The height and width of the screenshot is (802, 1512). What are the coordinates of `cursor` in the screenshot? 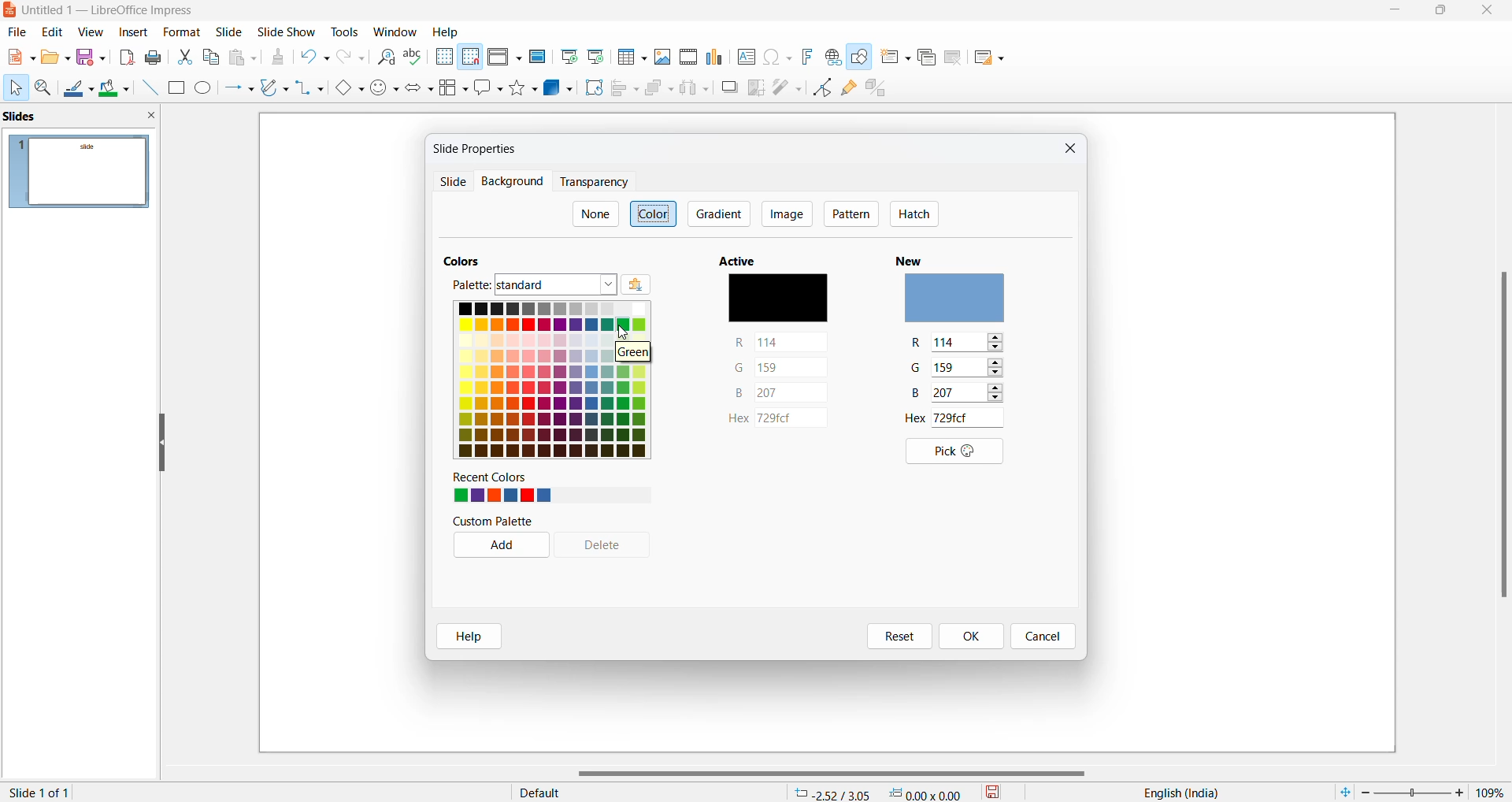 It's located at (15, 88).